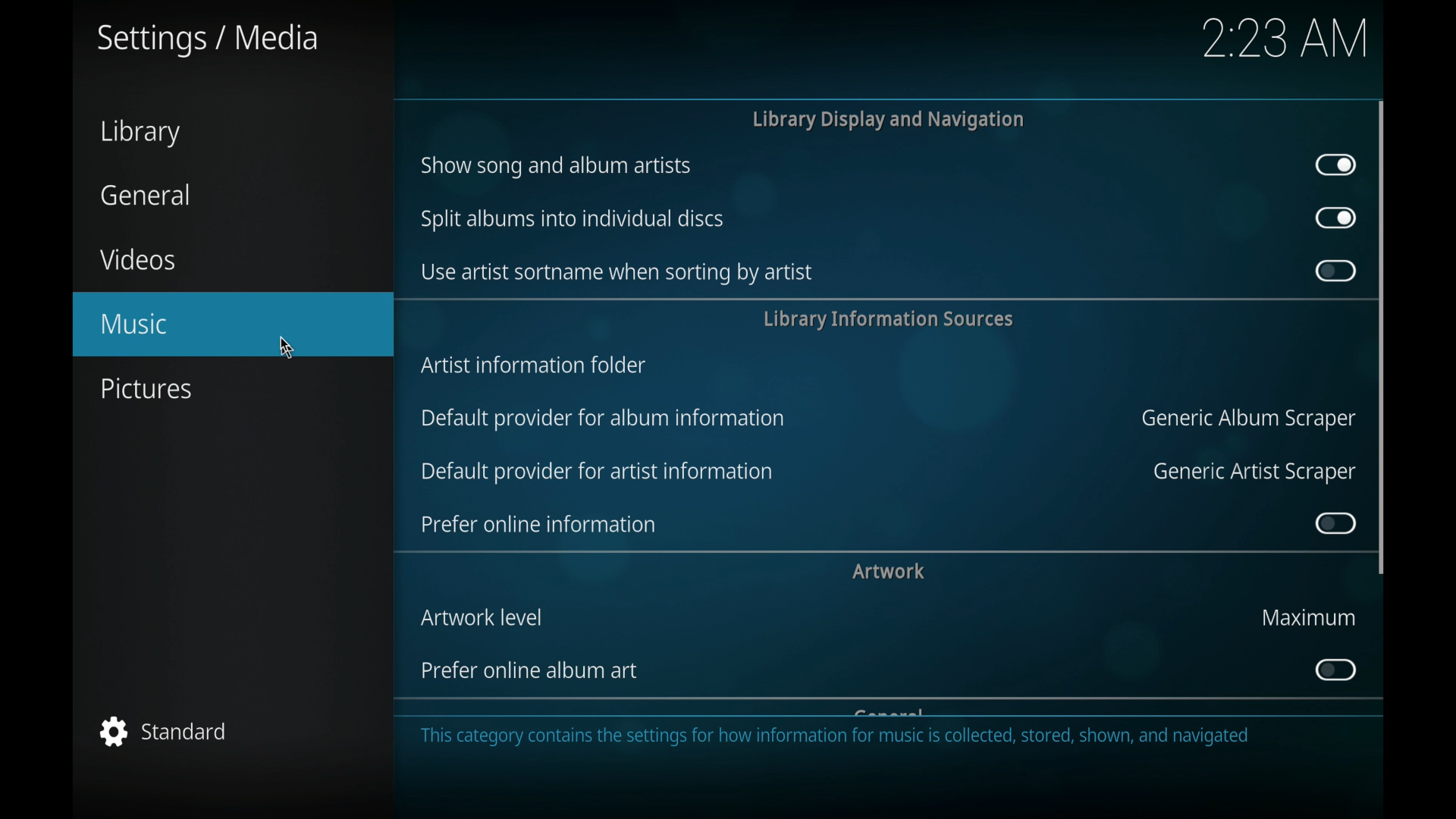  Describe the element at coordinates (534, 366) in the screenshot. I see `artist information folder` at that location.